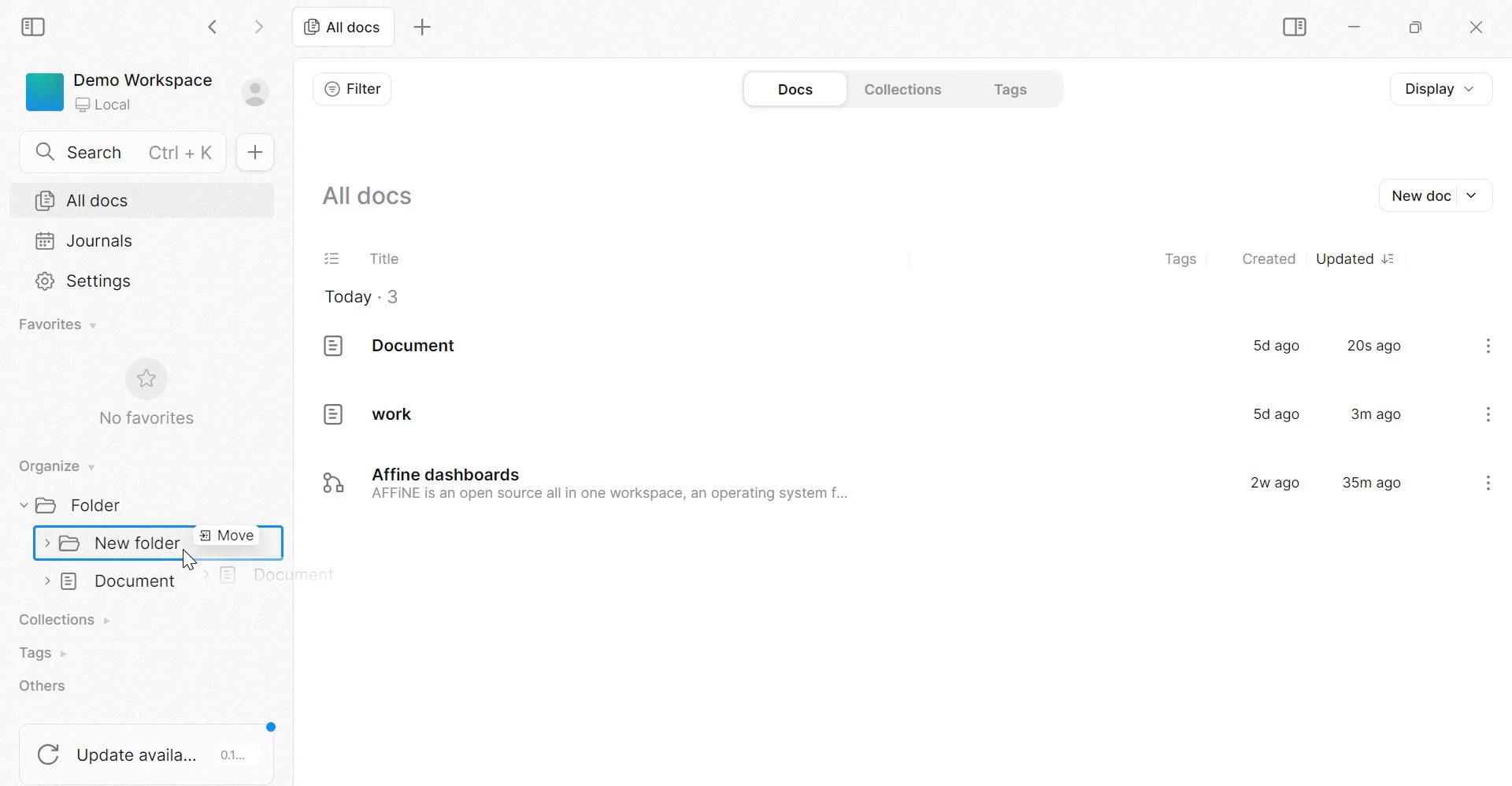 The width and height of the screenshot is (1512, 786). I want to click on New tab, so click(422, 26).